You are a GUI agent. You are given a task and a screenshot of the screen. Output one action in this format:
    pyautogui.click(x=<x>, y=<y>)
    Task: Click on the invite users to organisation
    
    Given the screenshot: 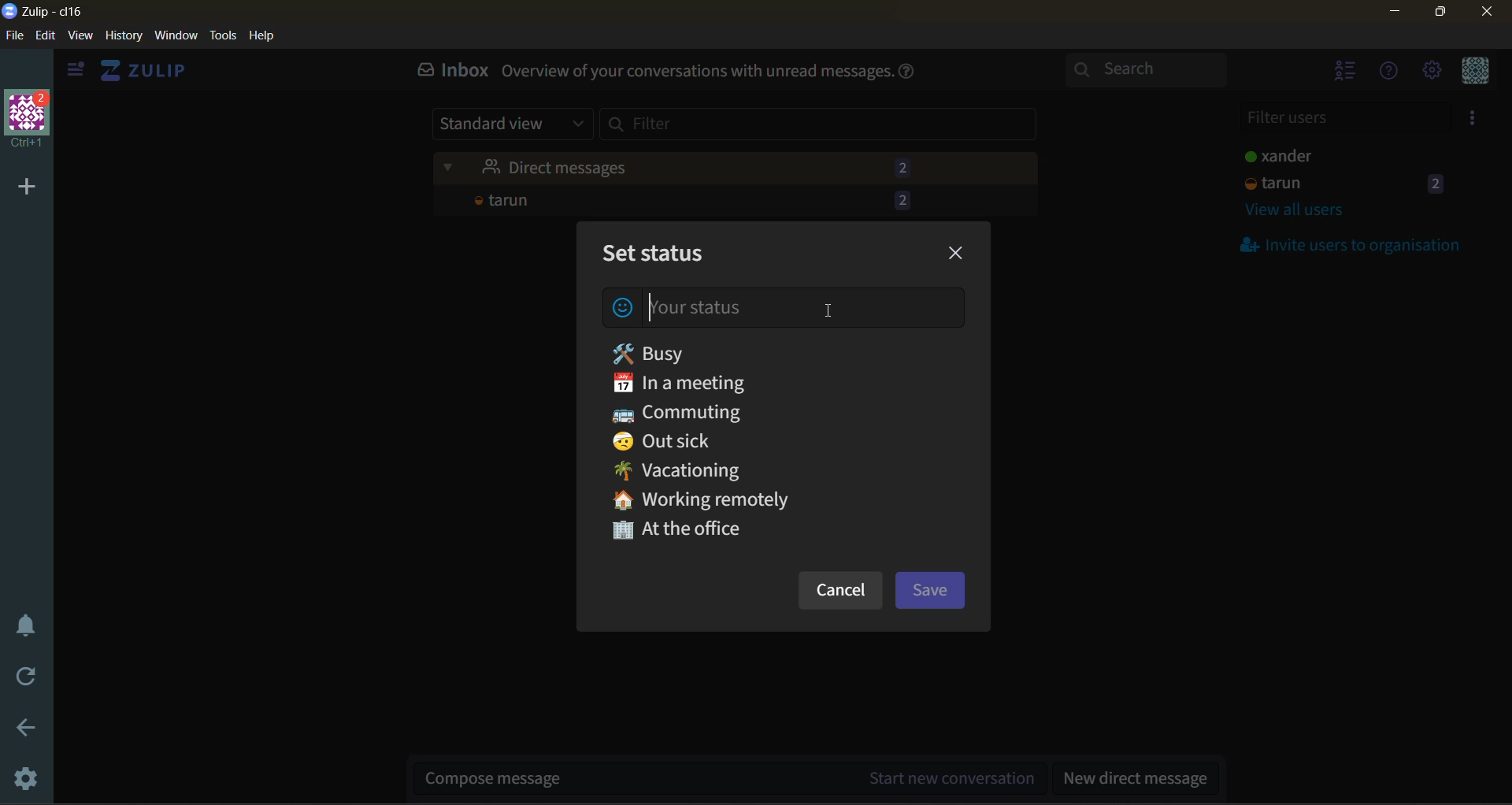 What is the action you would take?
    pyautogui.click(x=1475, y=120)
    